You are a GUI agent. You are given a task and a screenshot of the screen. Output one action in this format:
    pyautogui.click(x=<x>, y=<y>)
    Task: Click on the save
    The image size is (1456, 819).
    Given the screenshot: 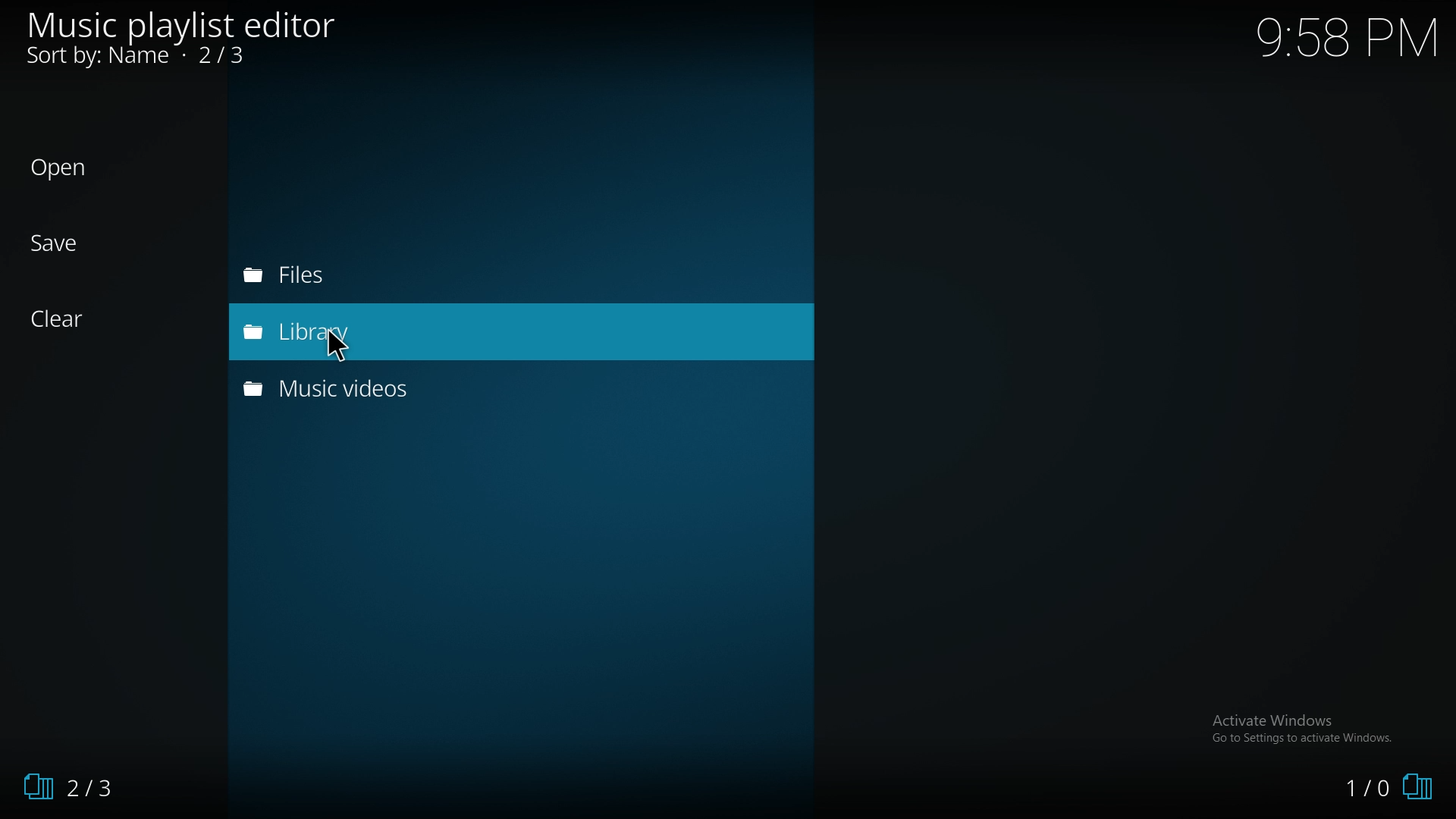 What is the action you would take?
    pyautogui.click(x=96, y=244)
    